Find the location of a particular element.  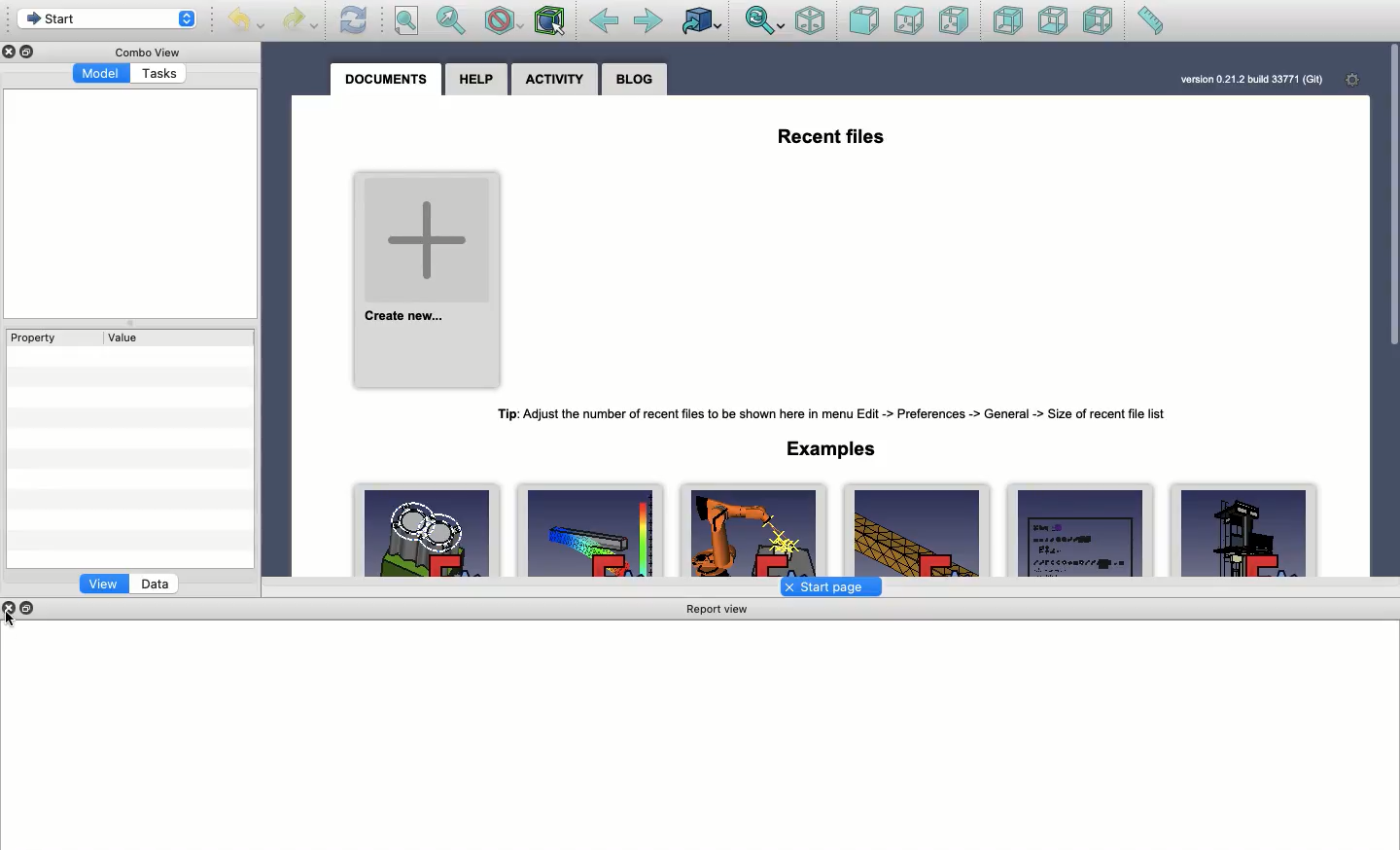

Sync view is located at coordinates (764, 22).